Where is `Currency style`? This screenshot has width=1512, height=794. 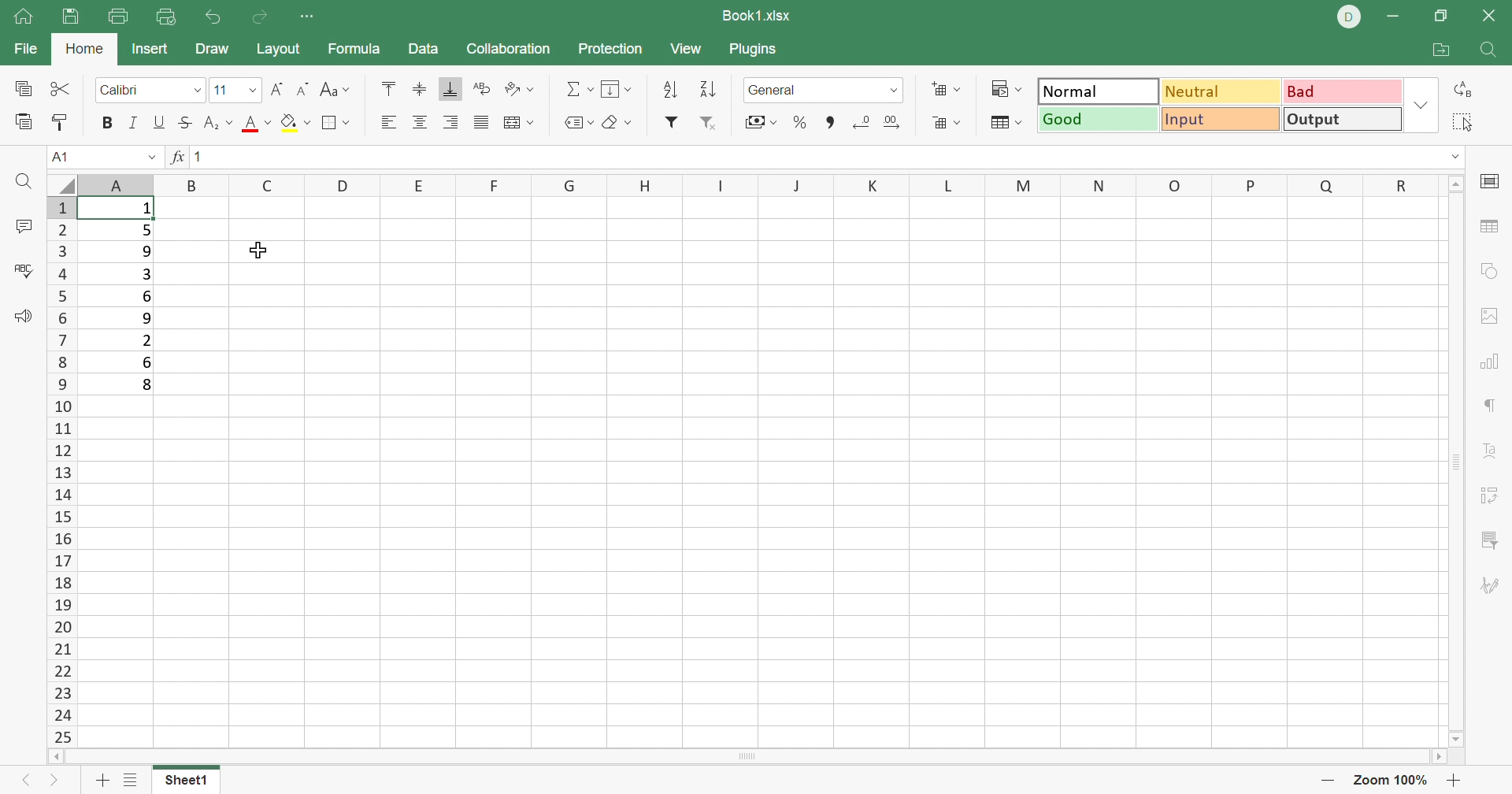 Currency style is located at coordinates (760, 123).